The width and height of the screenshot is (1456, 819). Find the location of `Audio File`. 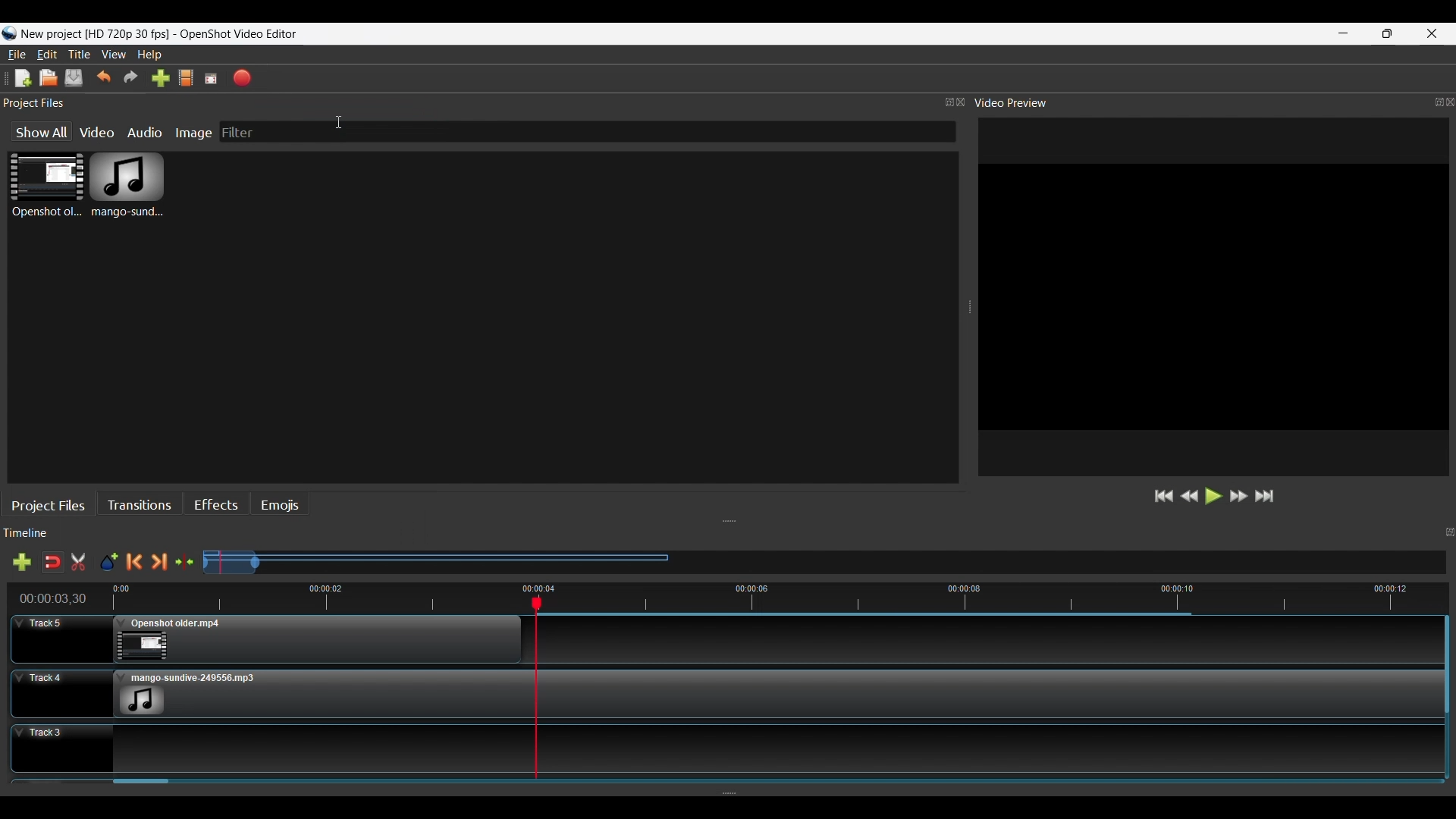

Audio File is located at coordinates (127, 185).